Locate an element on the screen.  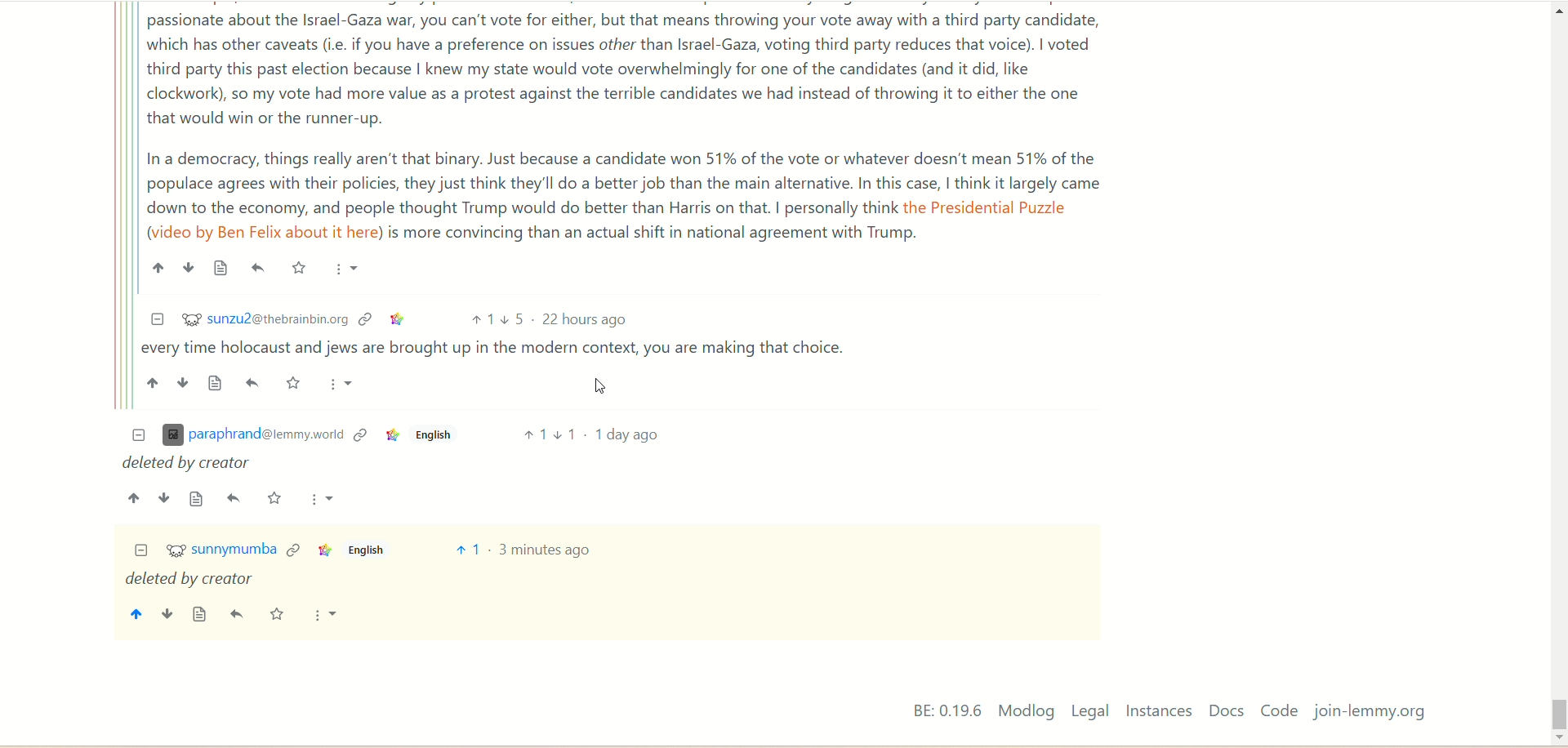
Upvote is located at coordinates (158, 268).